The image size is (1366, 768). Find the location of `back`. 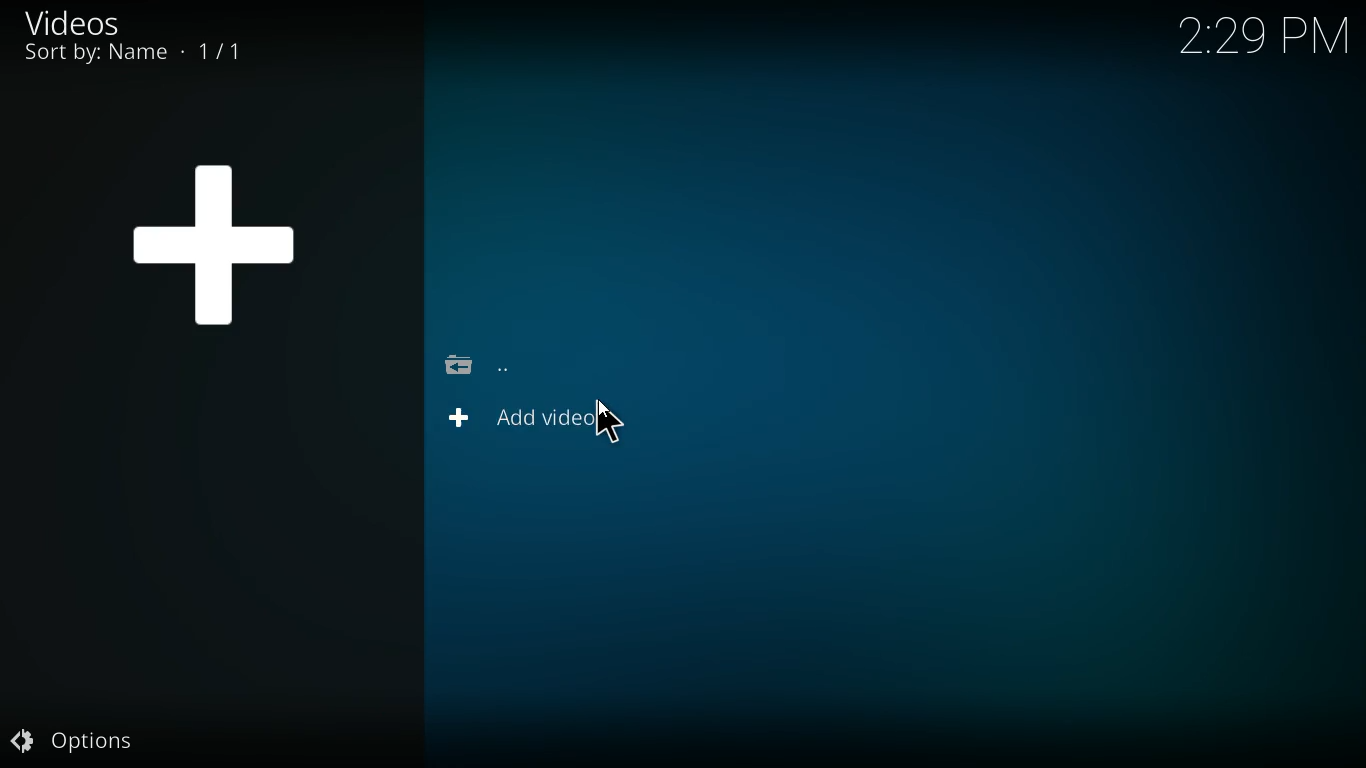

back is located at coordinates (481, 364).